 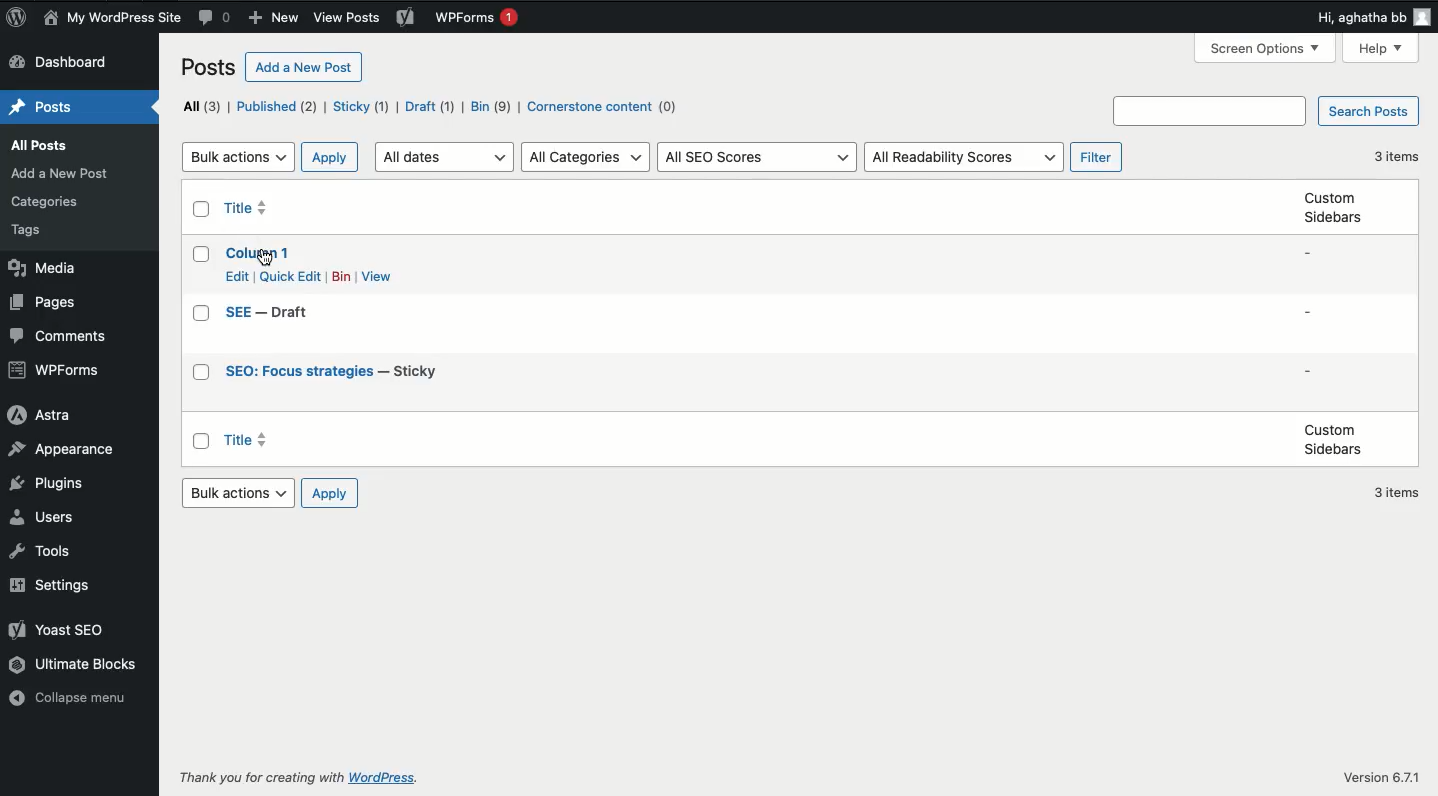 I want to click on Checkbox, so click(x=203, y=442).